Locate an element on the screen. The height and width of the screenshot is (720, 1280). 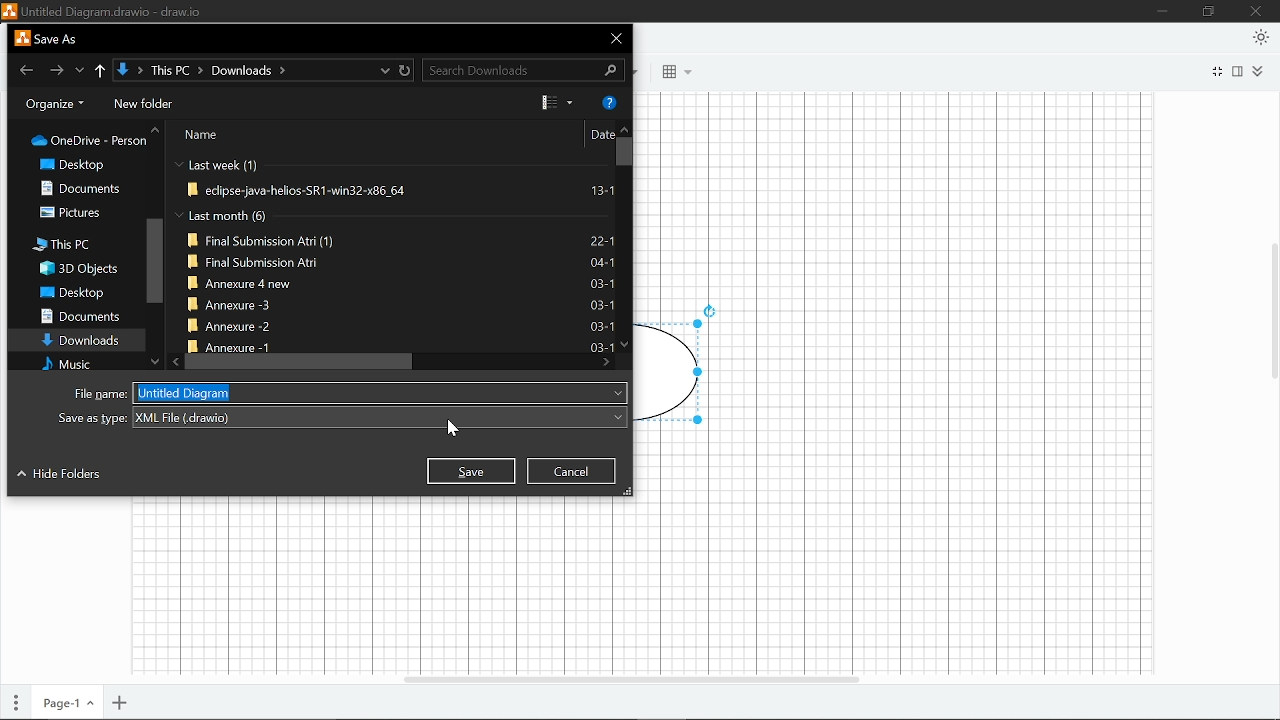
This PC is located at coordinates (69, 244).